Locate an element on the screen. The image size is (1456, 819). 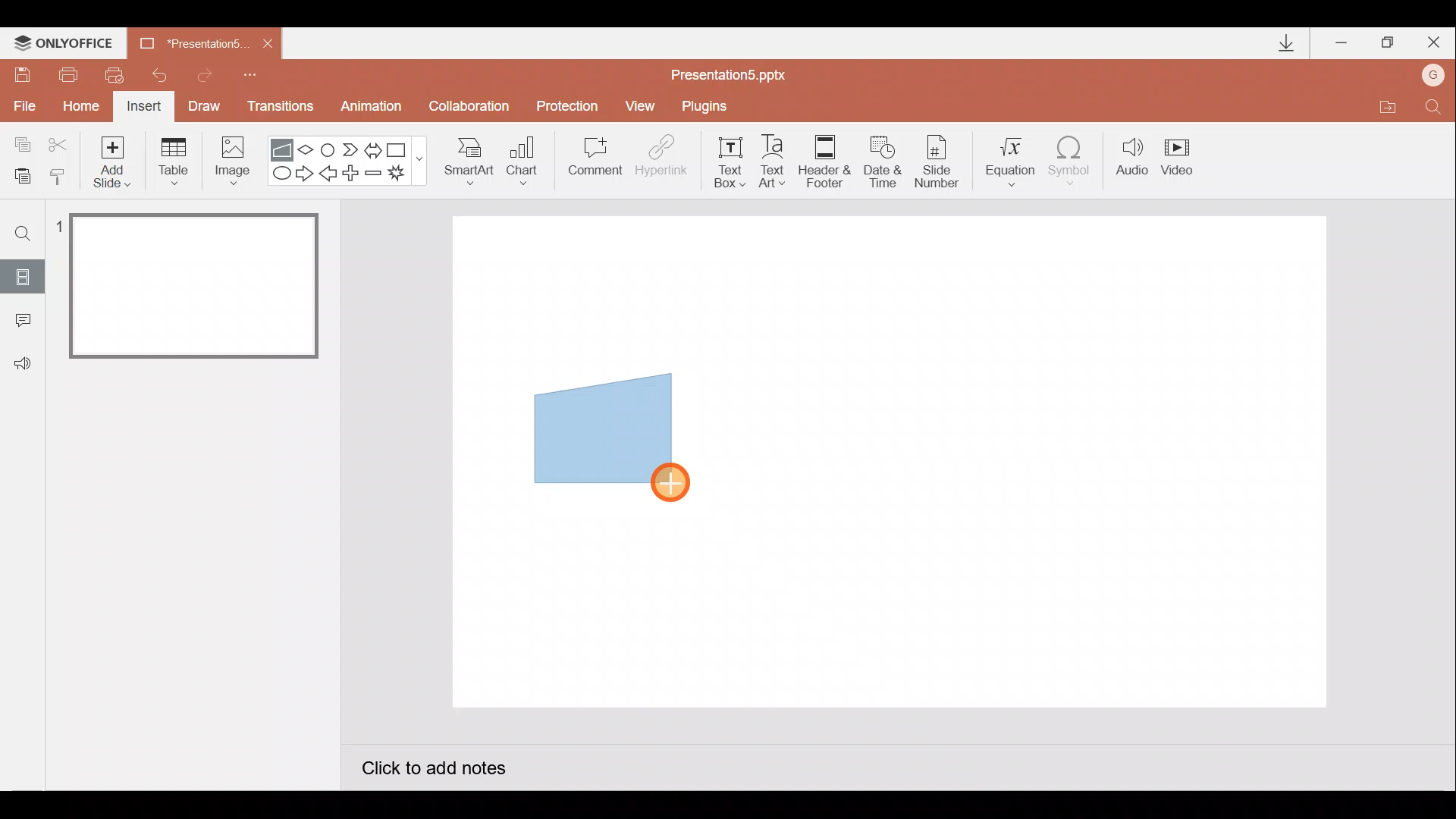
Account name is located at coordinates (1434, 77).